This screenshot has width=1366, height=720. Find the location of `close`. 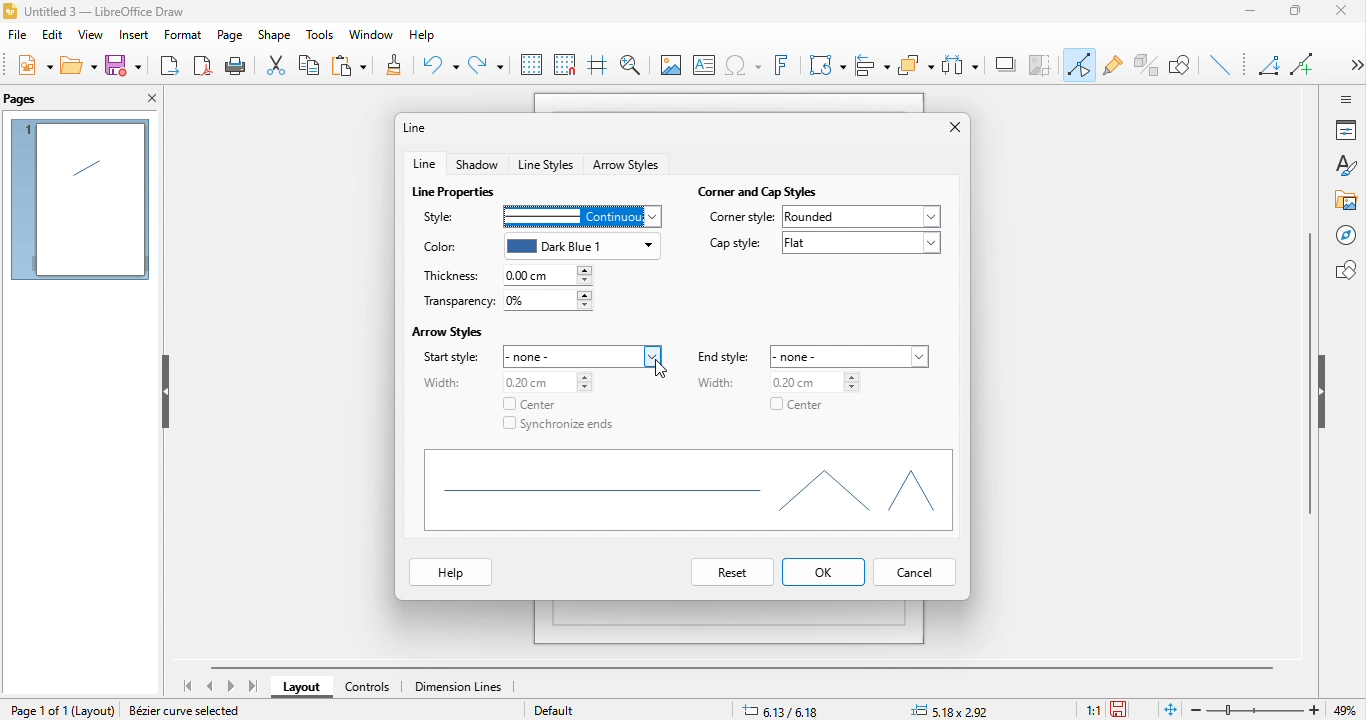

close is located at coordinates (1347, 15).